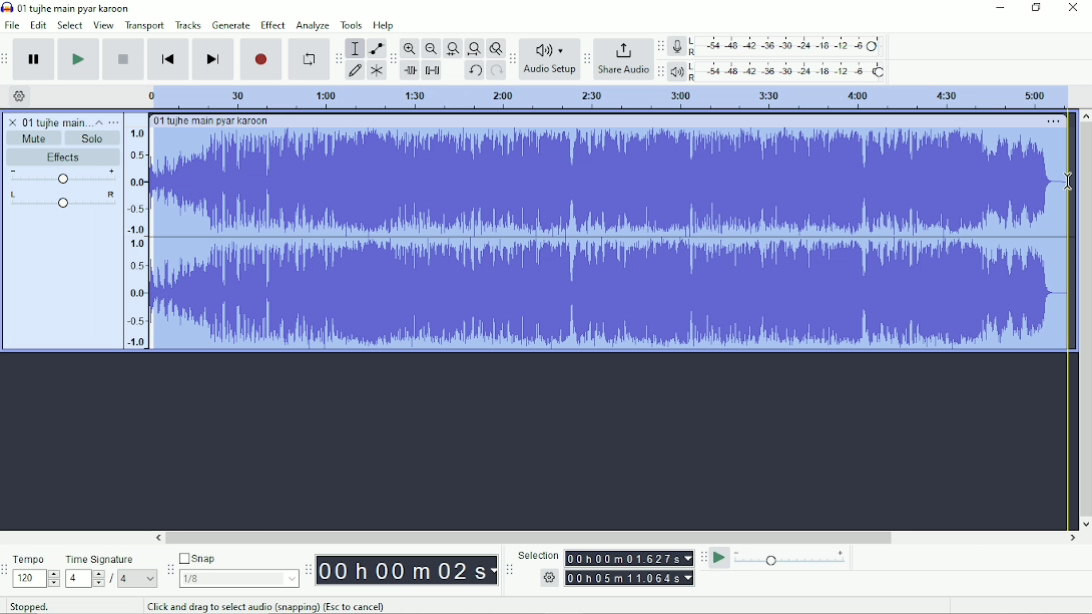 Image resolution: width=1092 pixels, height=614 pixels. What do you see at coordinates (239, 578) in the screenshot?
I see `1/8` at bounding box center [239, 578].